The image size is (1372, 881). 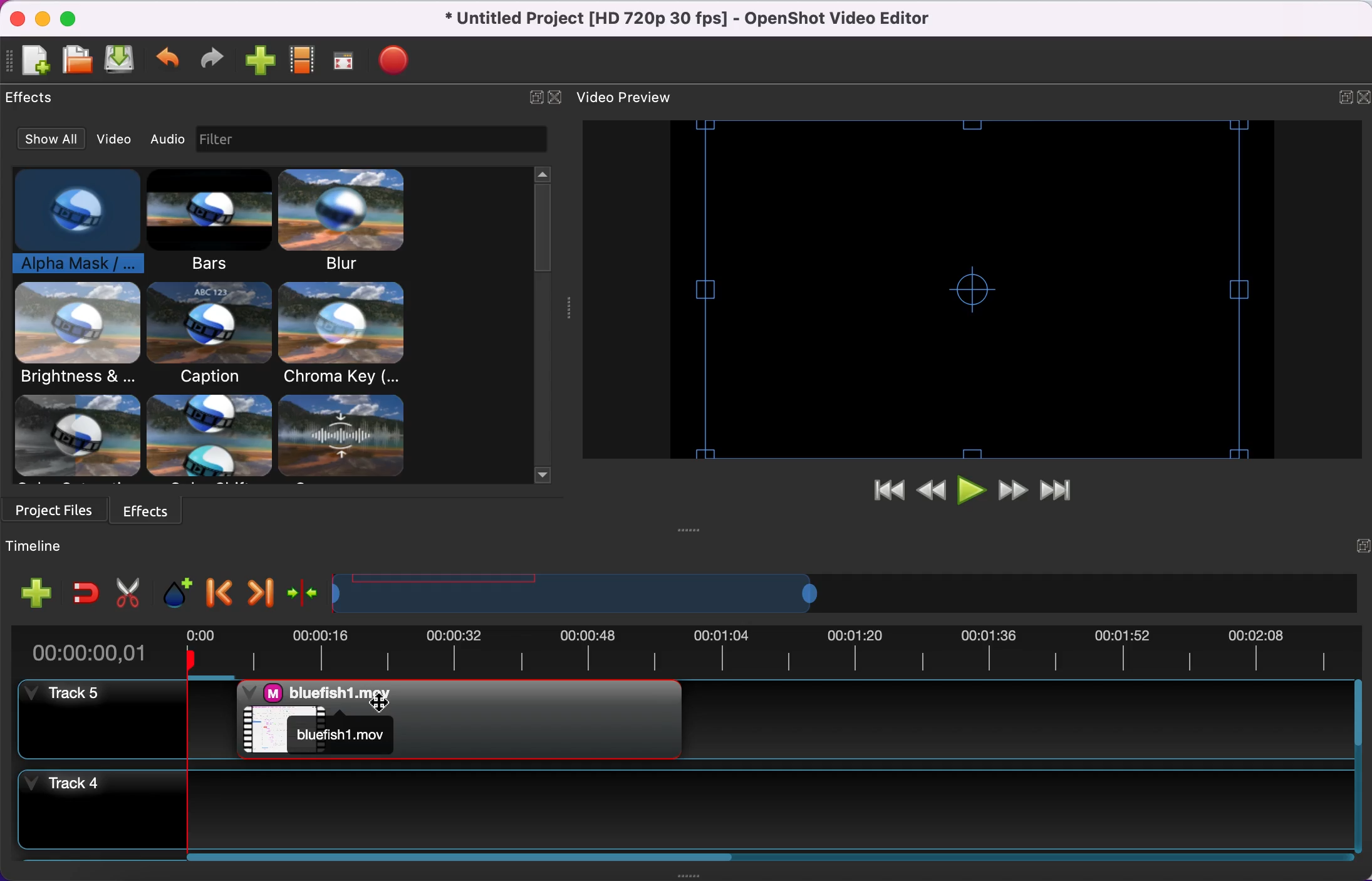 I want to click on audio, so click(x=167, y=137).